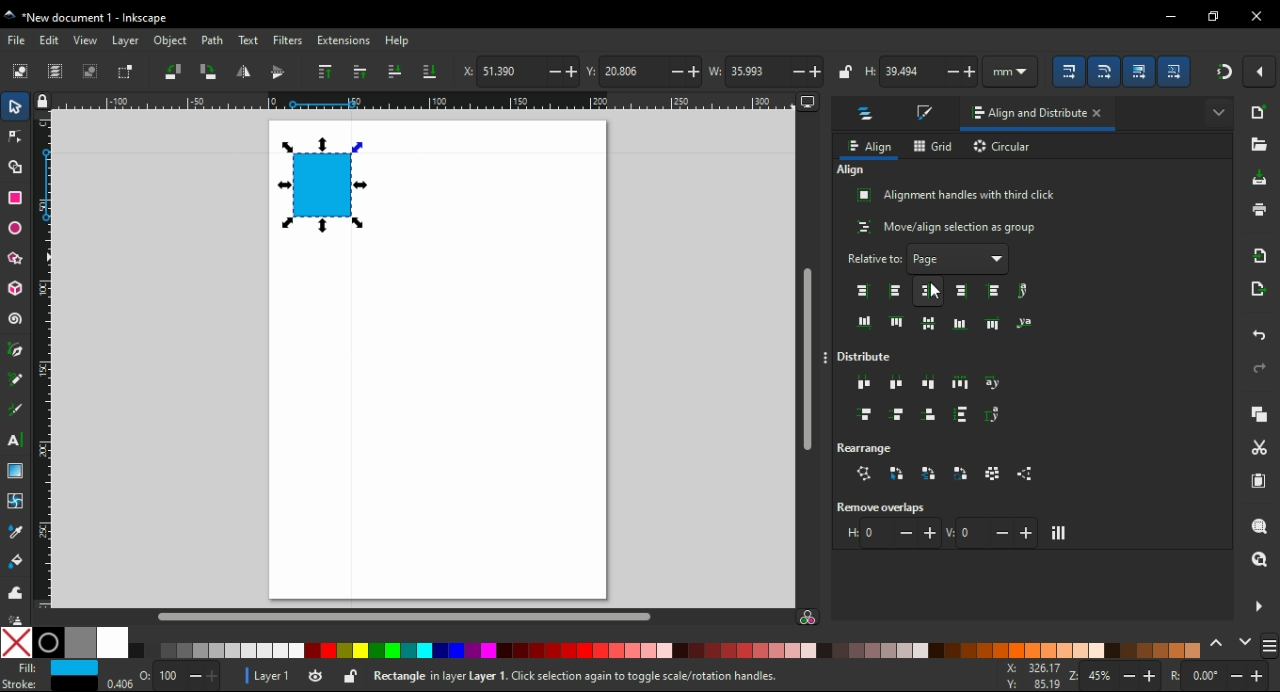 This screenshot has height=692, width=1280. Describe the element at coordinates (994, 473) in the screenshot. I see `randomize centers in both dimensions` at that location.